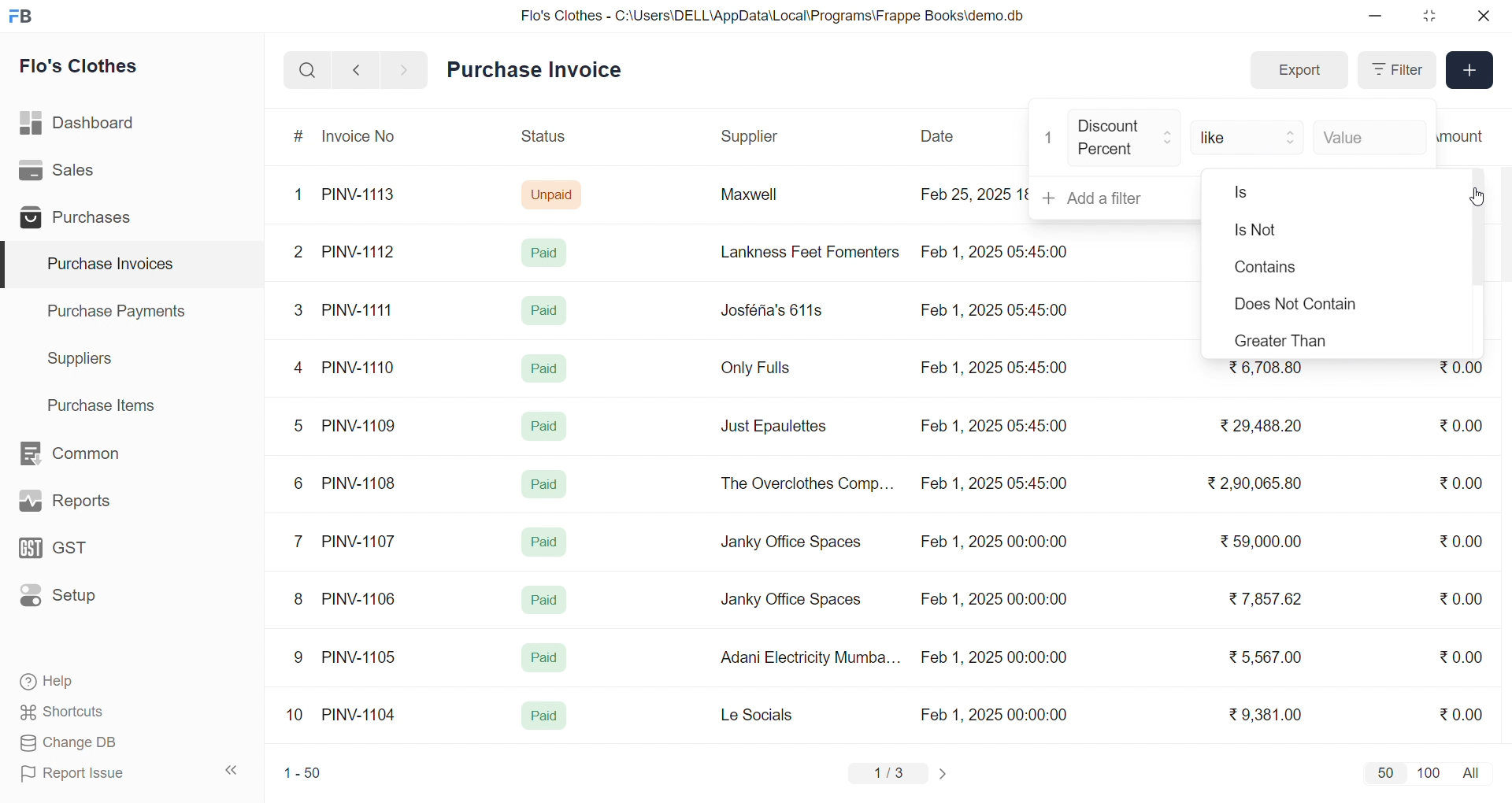  What do you see at coordinates (548, 252) in the screenshot?
I see `Paid` at bounding box center [548, 252].